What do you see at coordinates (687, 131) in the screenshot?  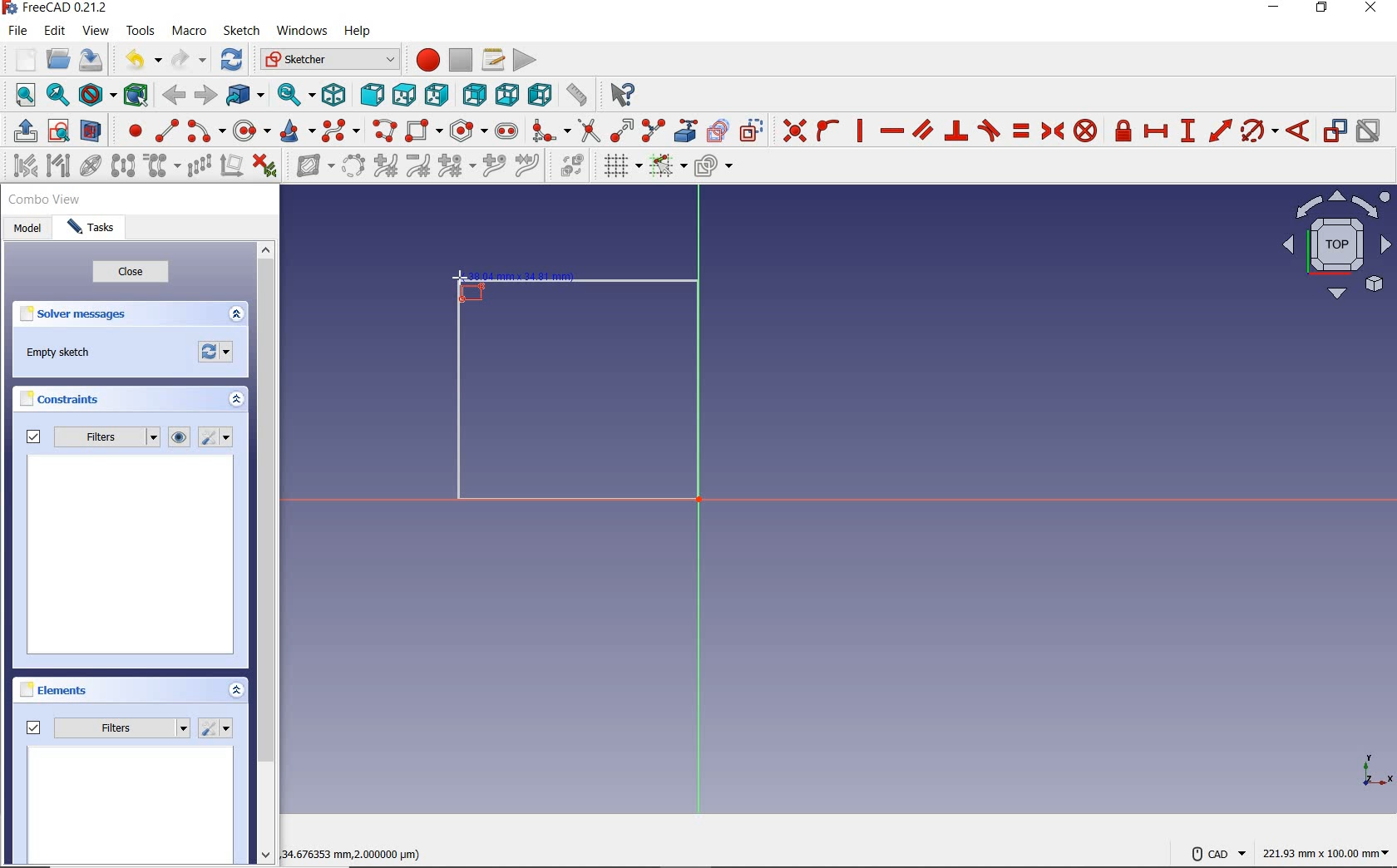 I see `create external geometry` at bounding box center [687, 131].